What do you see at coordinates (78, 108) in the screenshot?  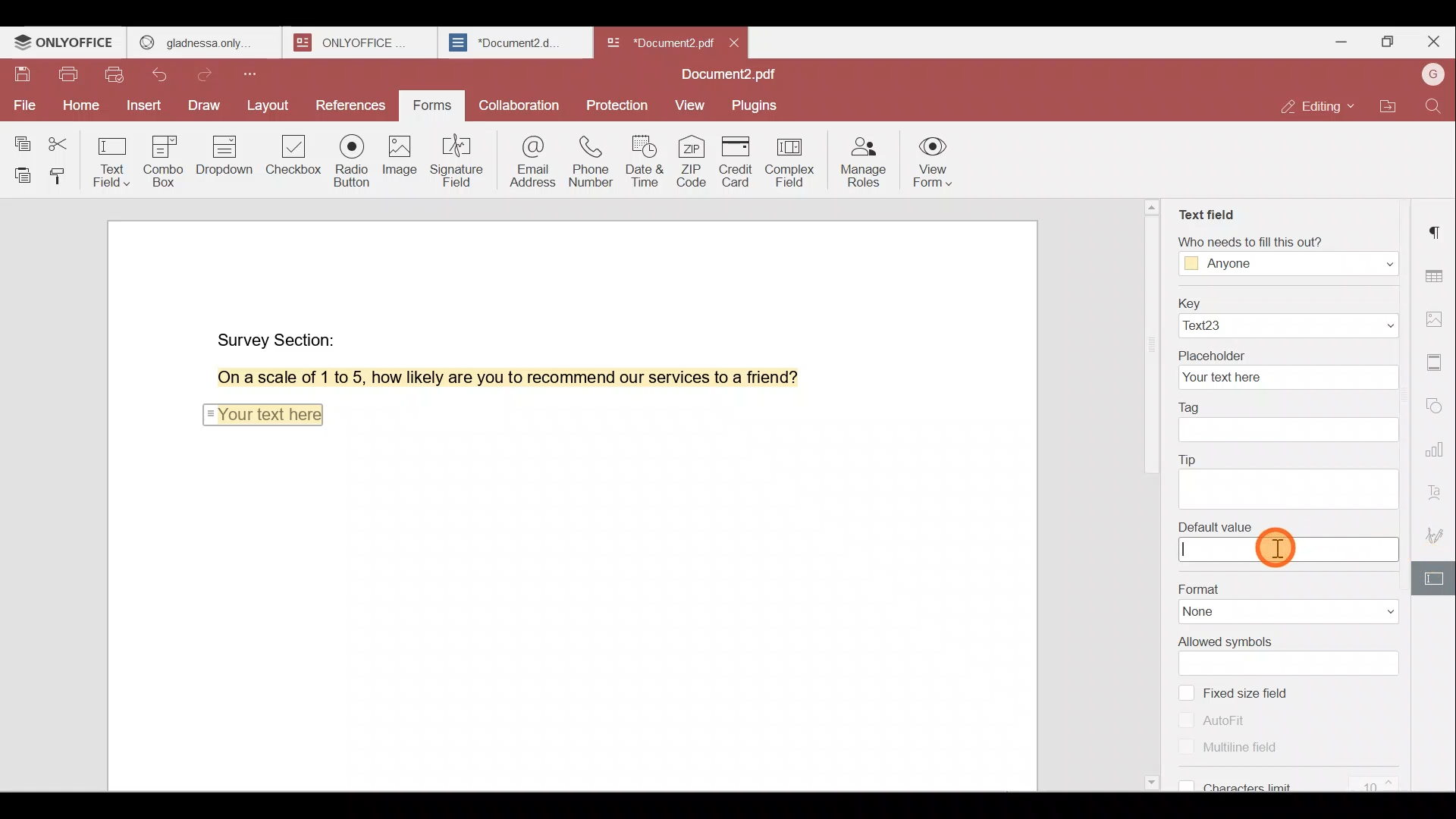 I see `Home` at bounding box center [78, 108].